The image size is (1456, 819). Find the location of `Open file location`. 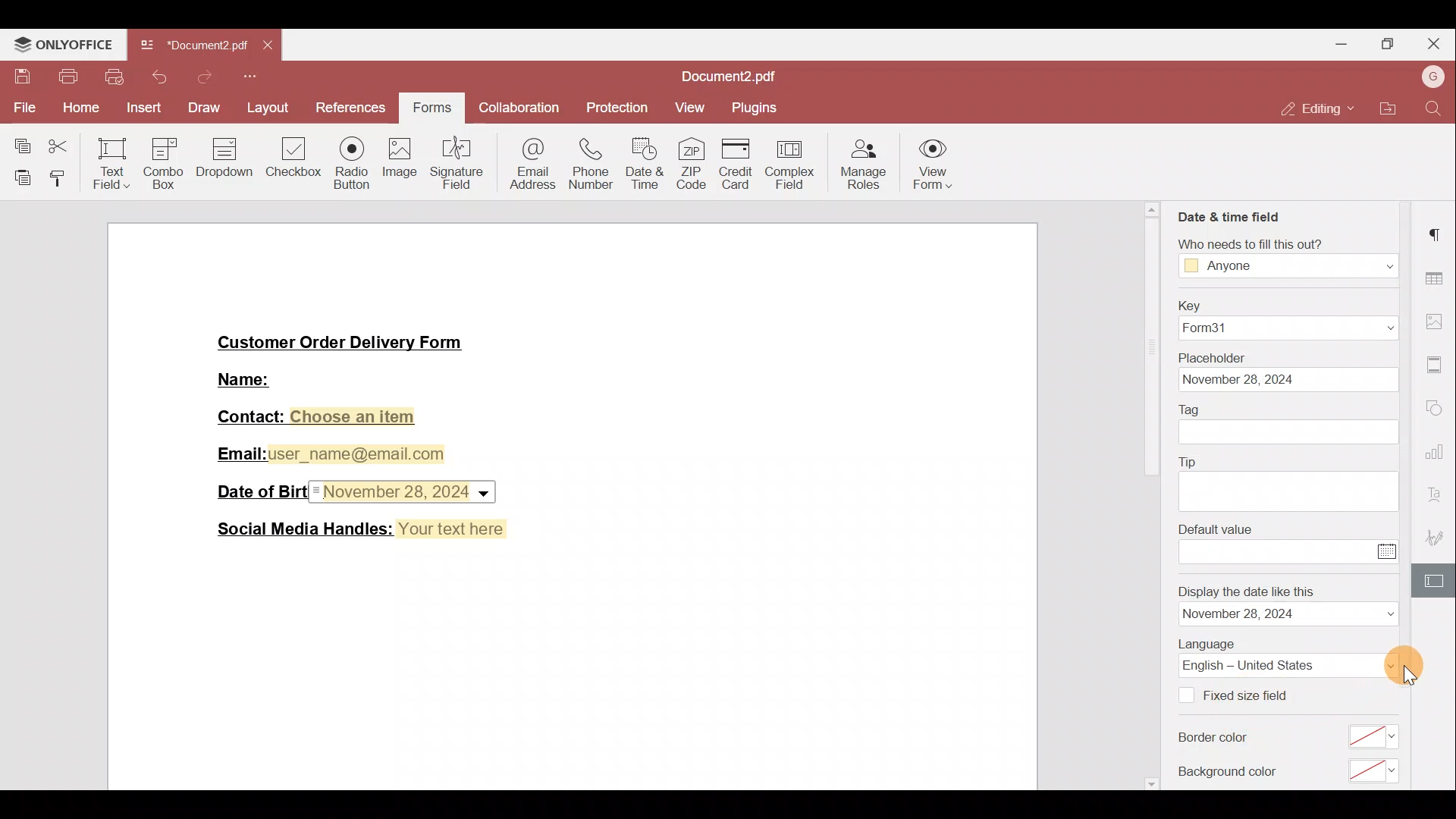

Open file location is located at coordinates (1389, 109).